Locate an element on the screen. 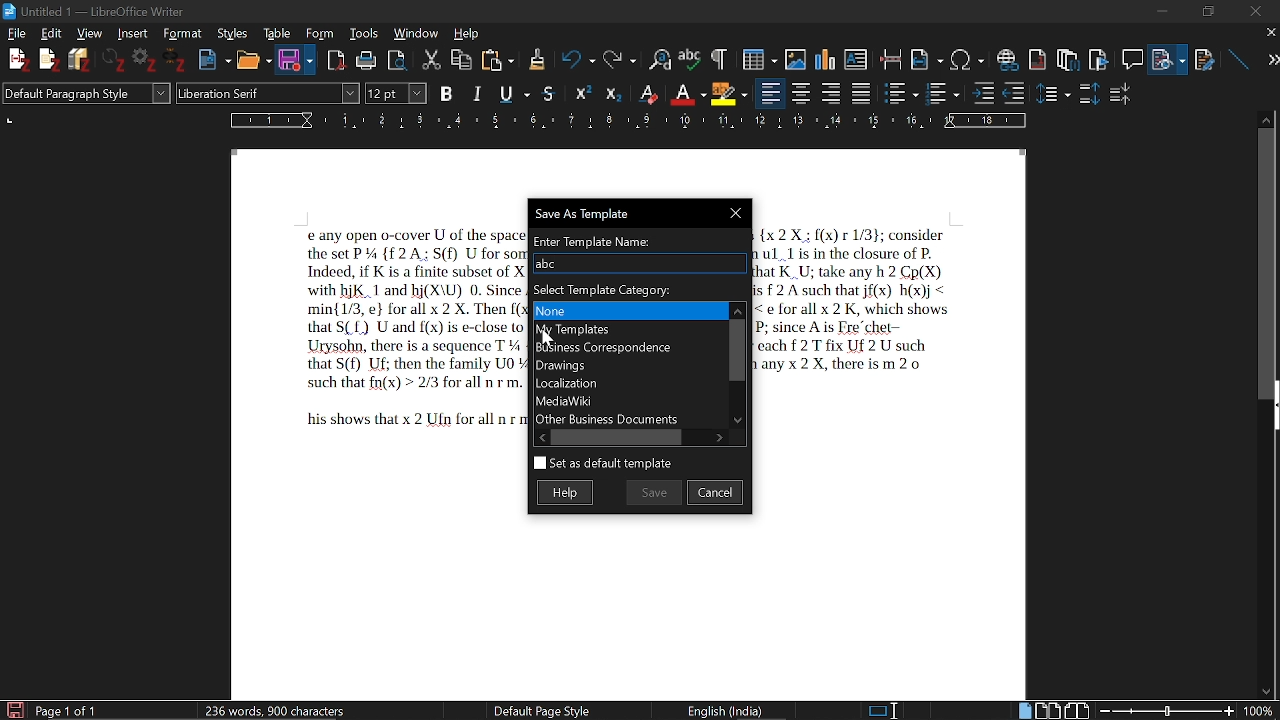 The height and width of the screenshot is (720, 1280). Find and replace  is located at coordinates (657, 58).